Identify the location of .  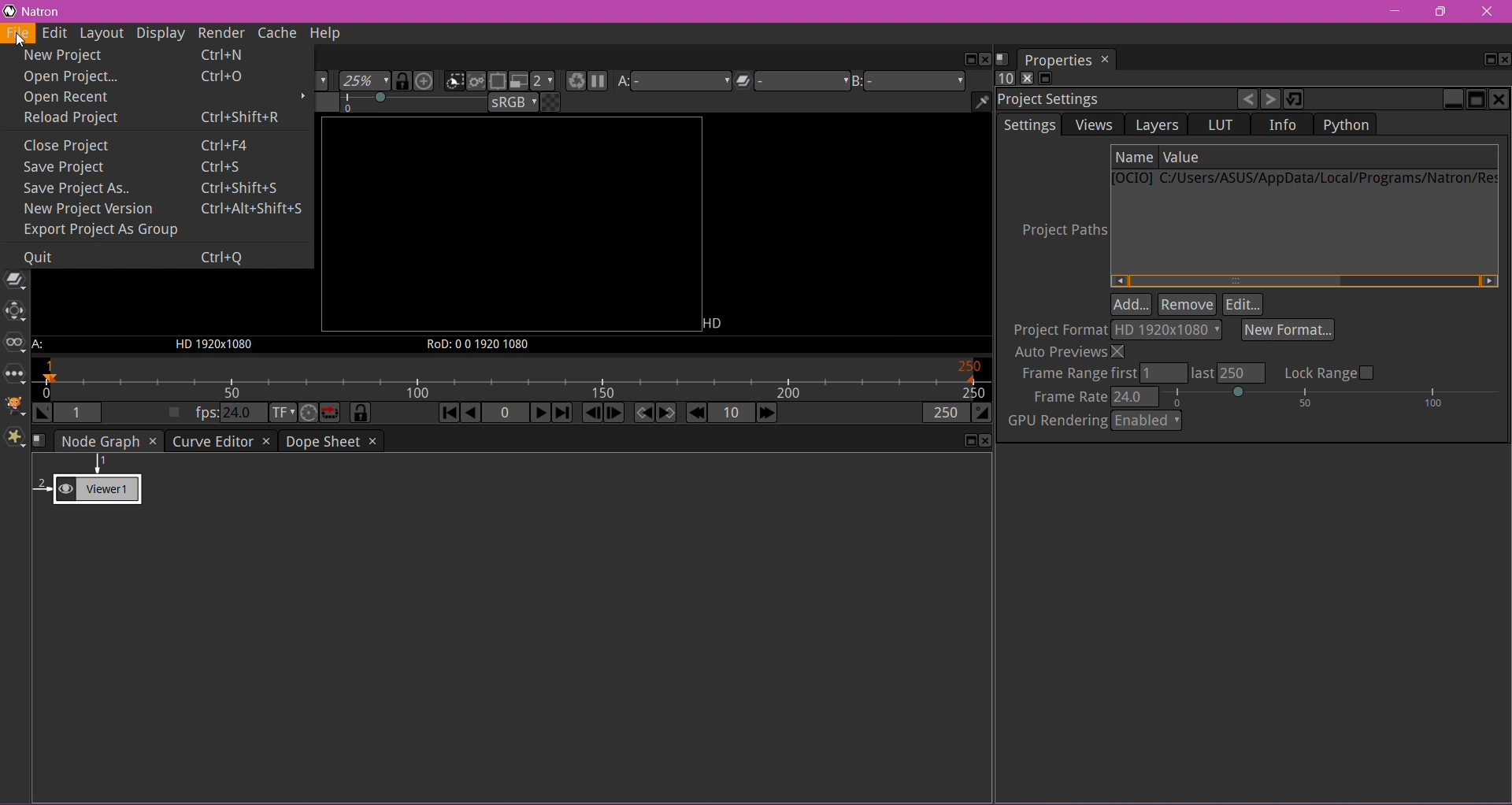
(1093, 124).